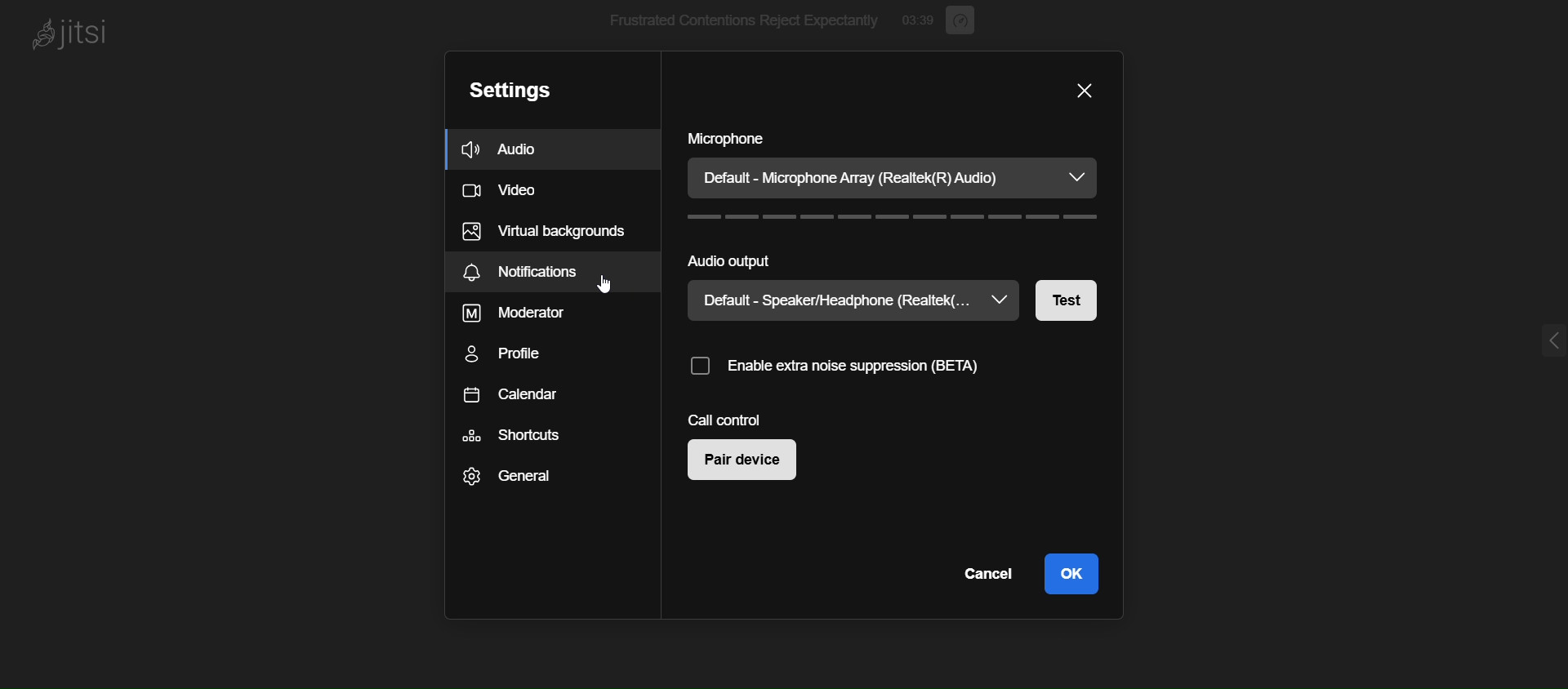 The height and width of the screenshot is (689, 1568). What do you see at coordinates (738, 416) in the screenshot?
I see `call control` at bounding box center [738, 416].